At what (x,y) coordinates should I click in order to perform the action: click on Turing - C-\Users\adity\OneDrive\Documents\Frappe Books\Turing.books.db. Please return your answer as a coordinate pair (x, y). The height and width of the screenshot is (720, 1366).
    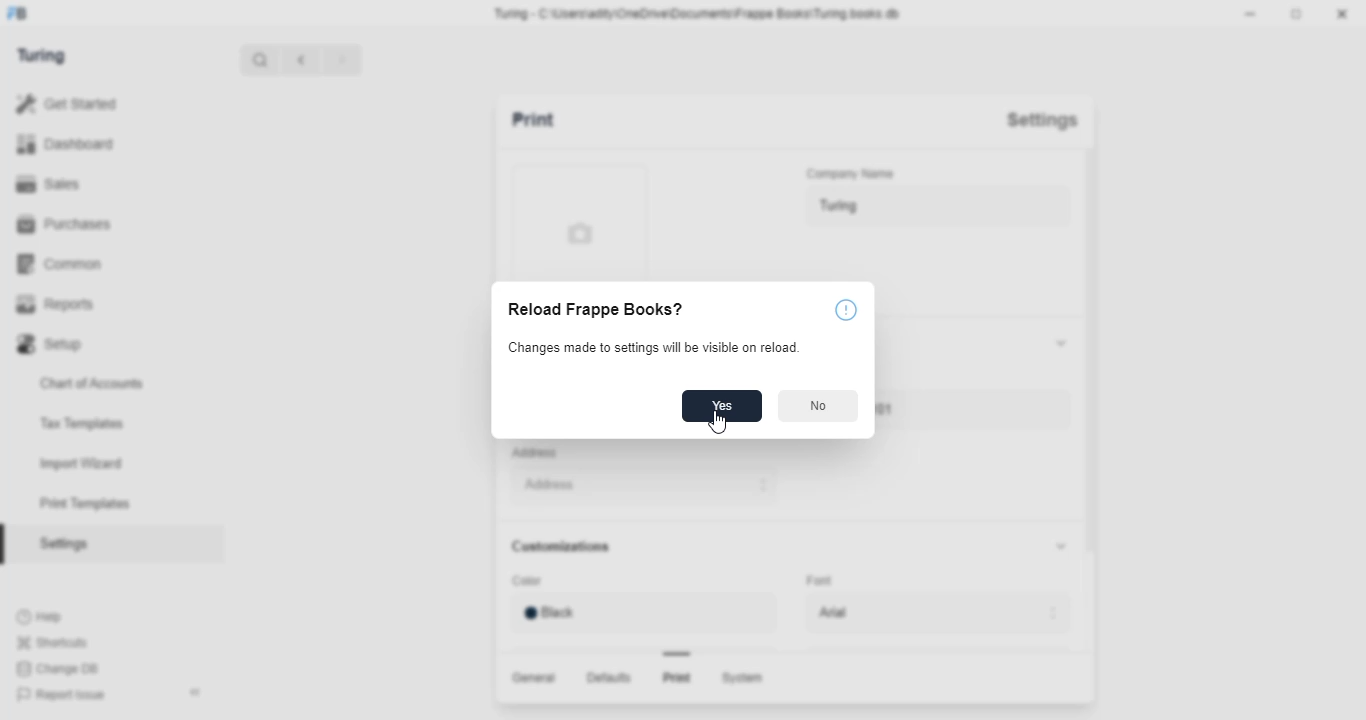
    Looking at the image, I should click on (698, 12).